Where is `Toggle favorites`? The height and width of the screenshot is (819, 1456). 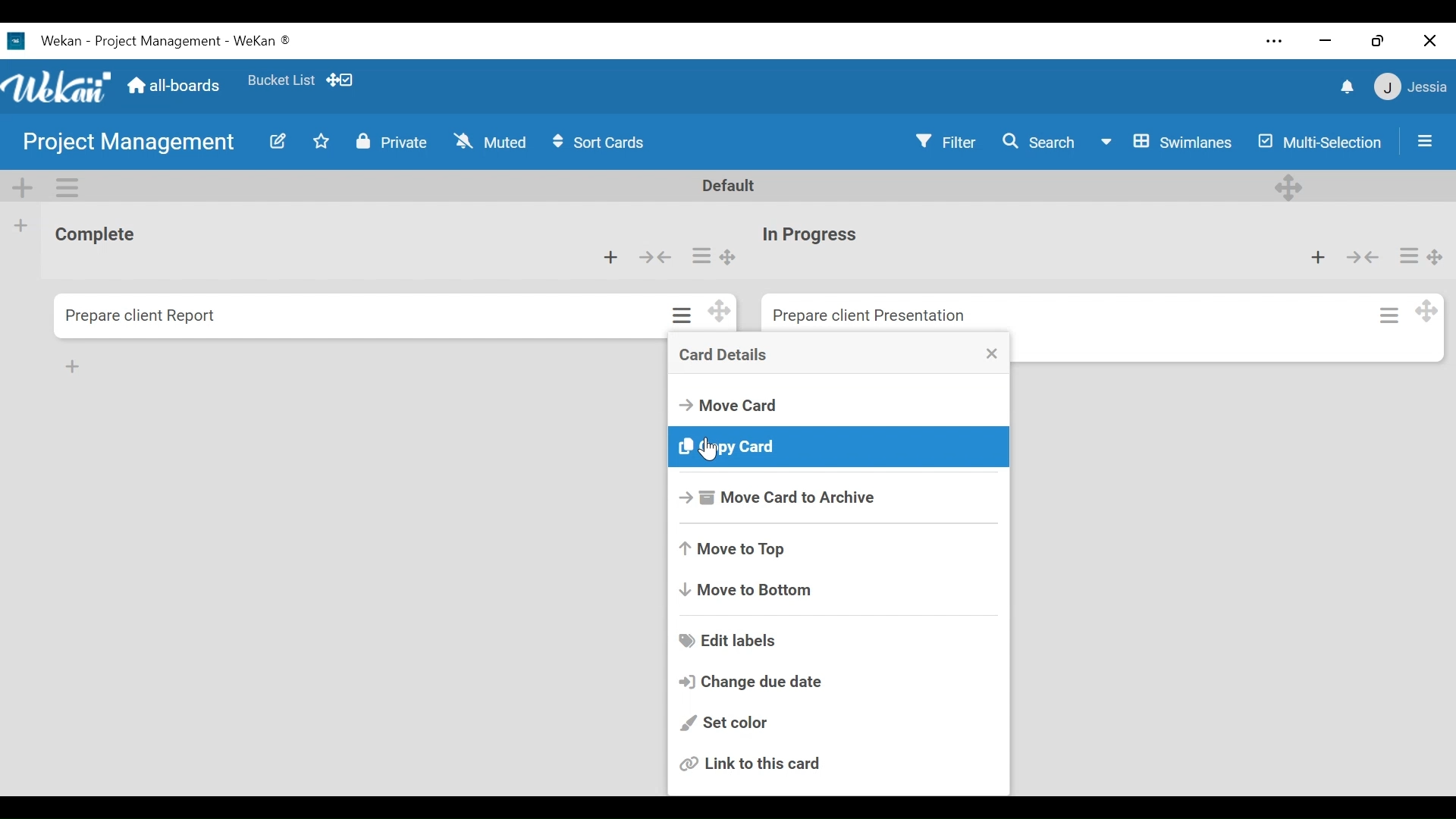 Toggle favorites is located at coordinates (322, 142).